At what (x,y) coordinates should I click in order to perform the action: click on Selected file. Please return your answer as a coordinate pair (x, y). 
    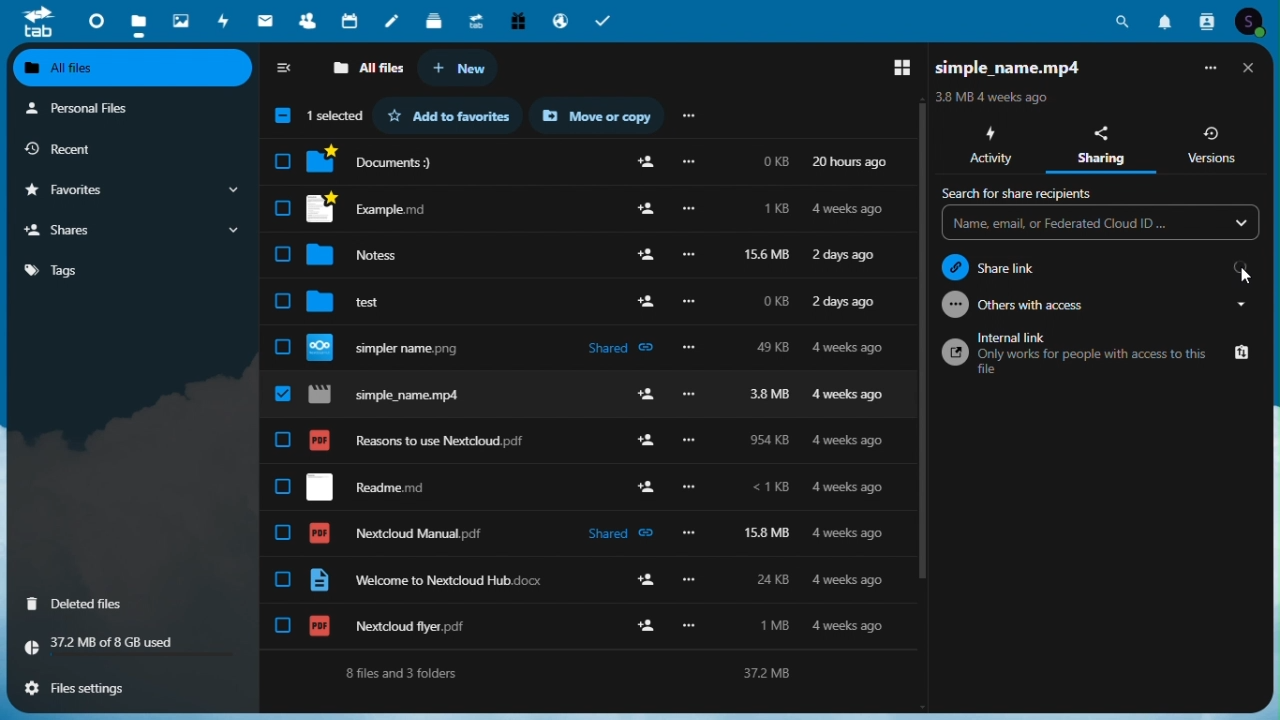
    Looking at the image, I should click on (587, 392).